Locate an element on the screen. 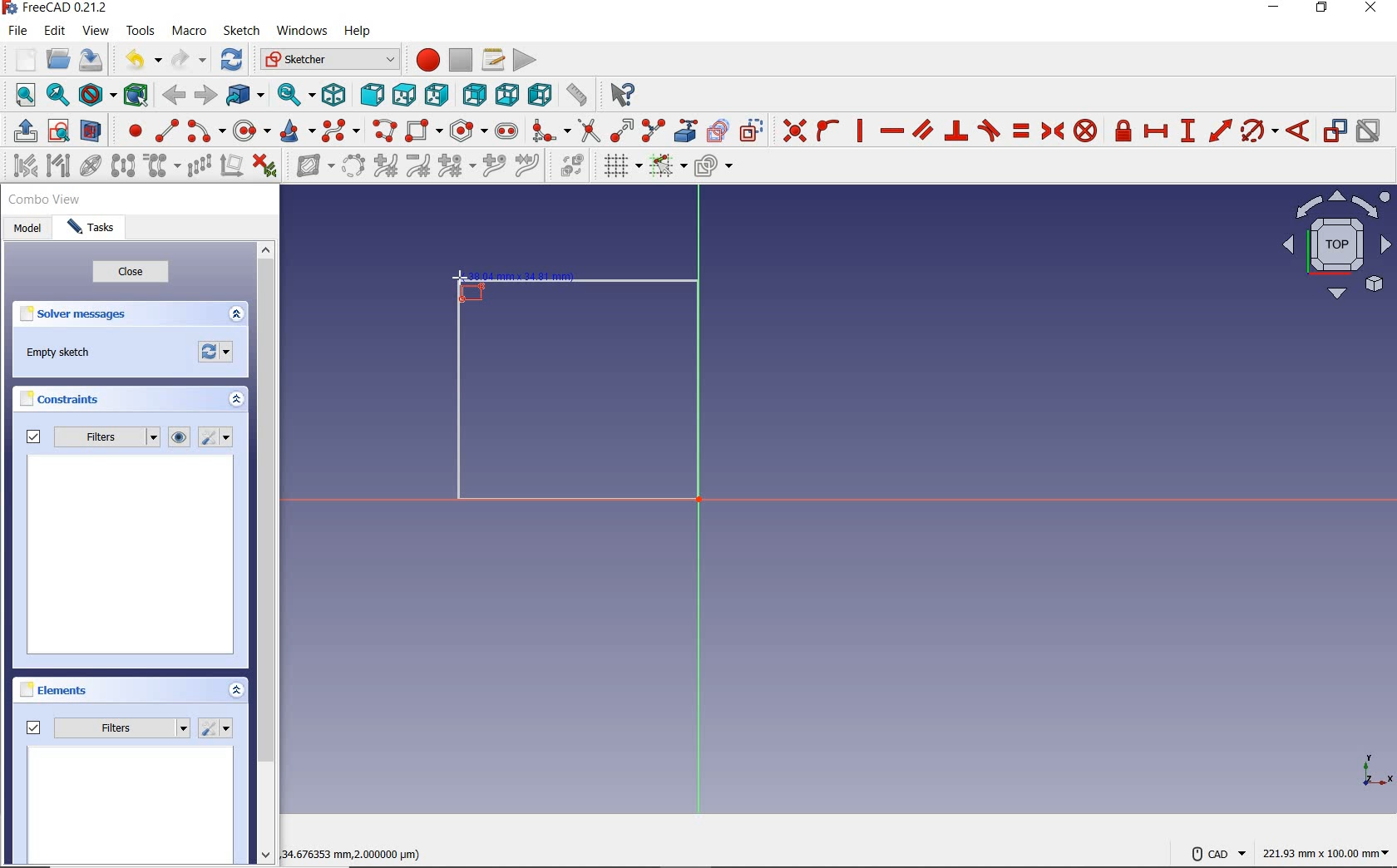 Image resolution: width=1397 pixels, height=868 pixels. filters is located at coordinates (108, 725).